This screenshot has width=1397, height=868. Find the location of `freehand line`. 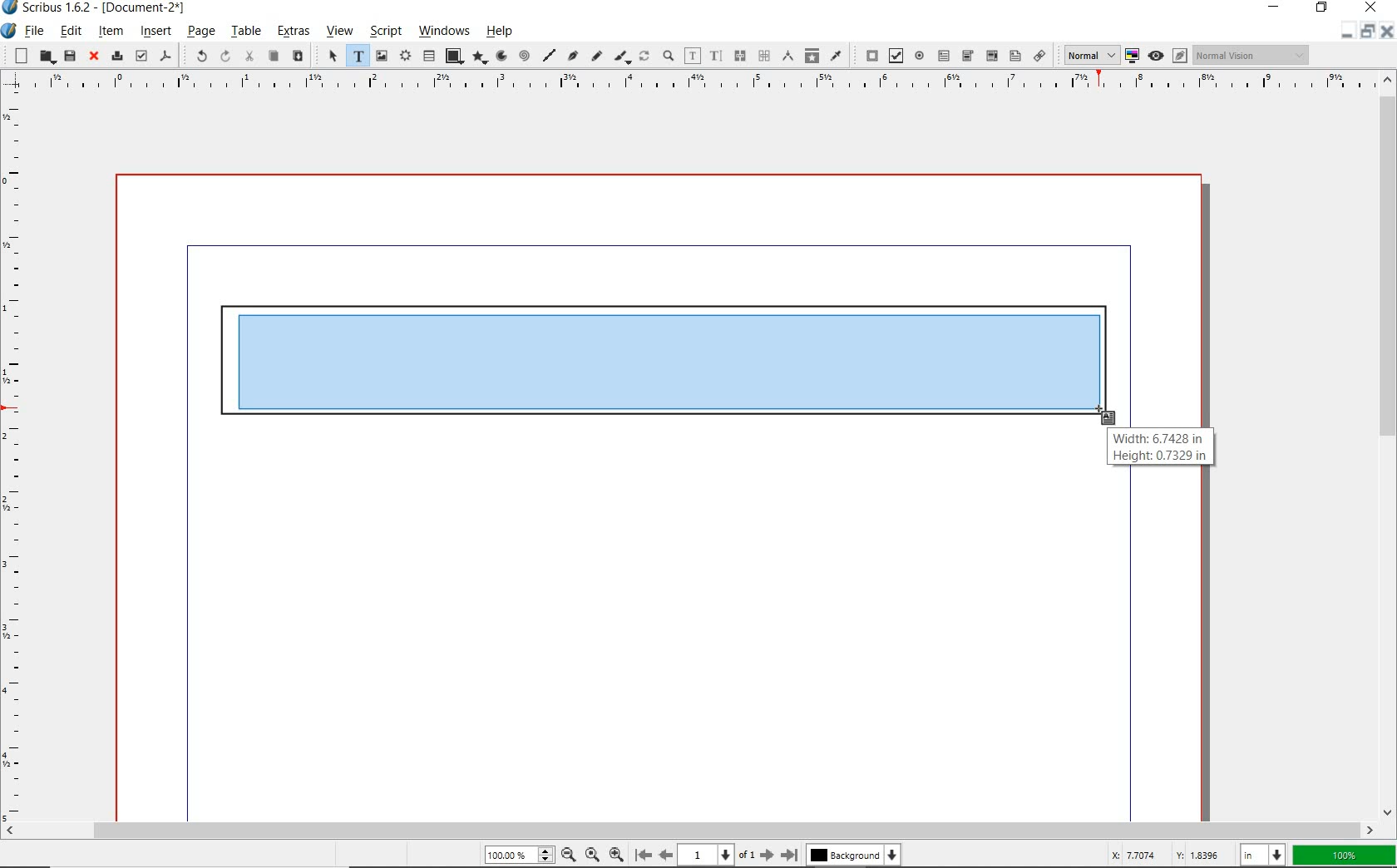

freehand line is located at coordinates (596, 57).